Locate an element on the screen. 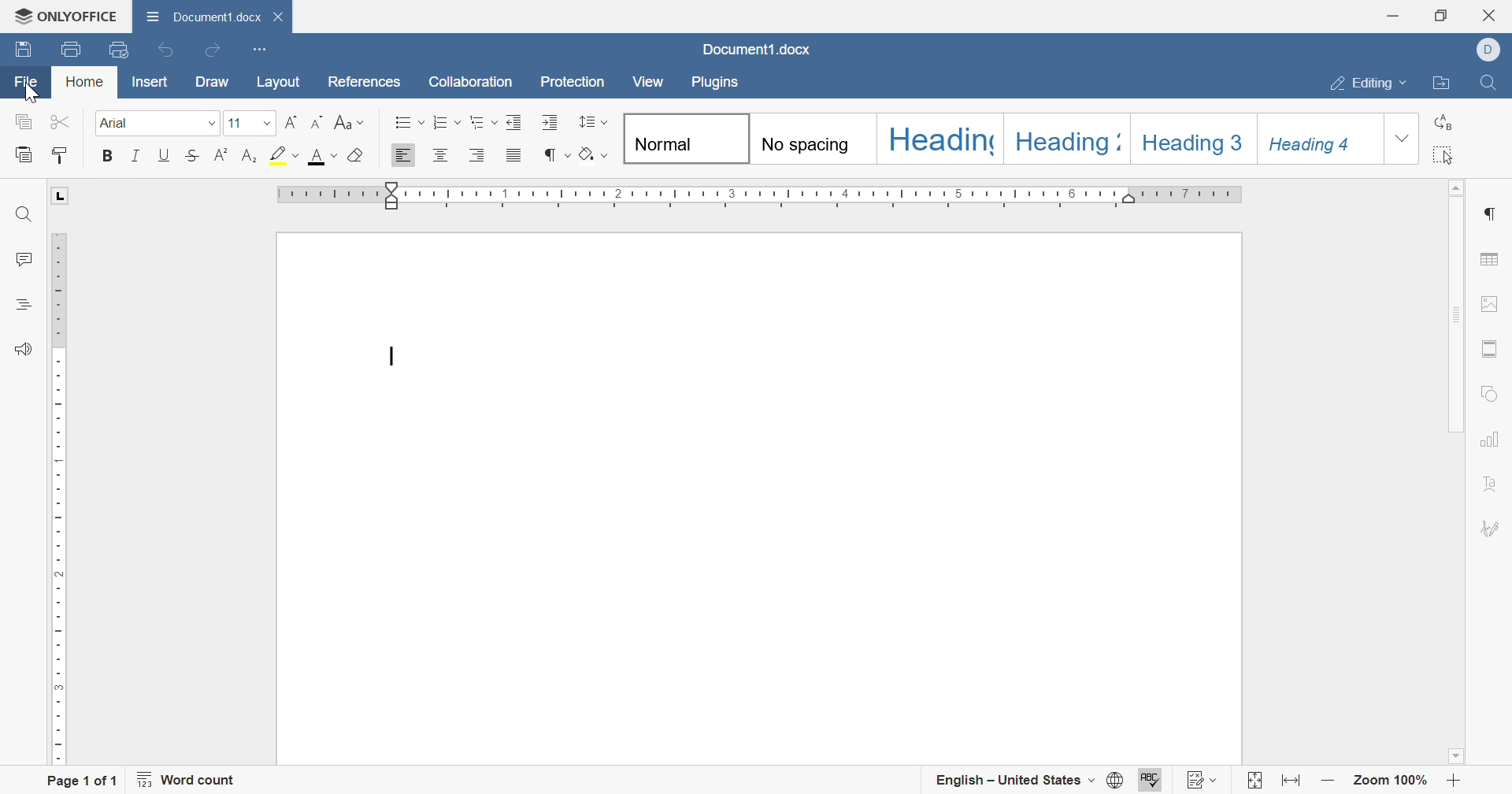  zoom out is located at coordinates (1328, 783).